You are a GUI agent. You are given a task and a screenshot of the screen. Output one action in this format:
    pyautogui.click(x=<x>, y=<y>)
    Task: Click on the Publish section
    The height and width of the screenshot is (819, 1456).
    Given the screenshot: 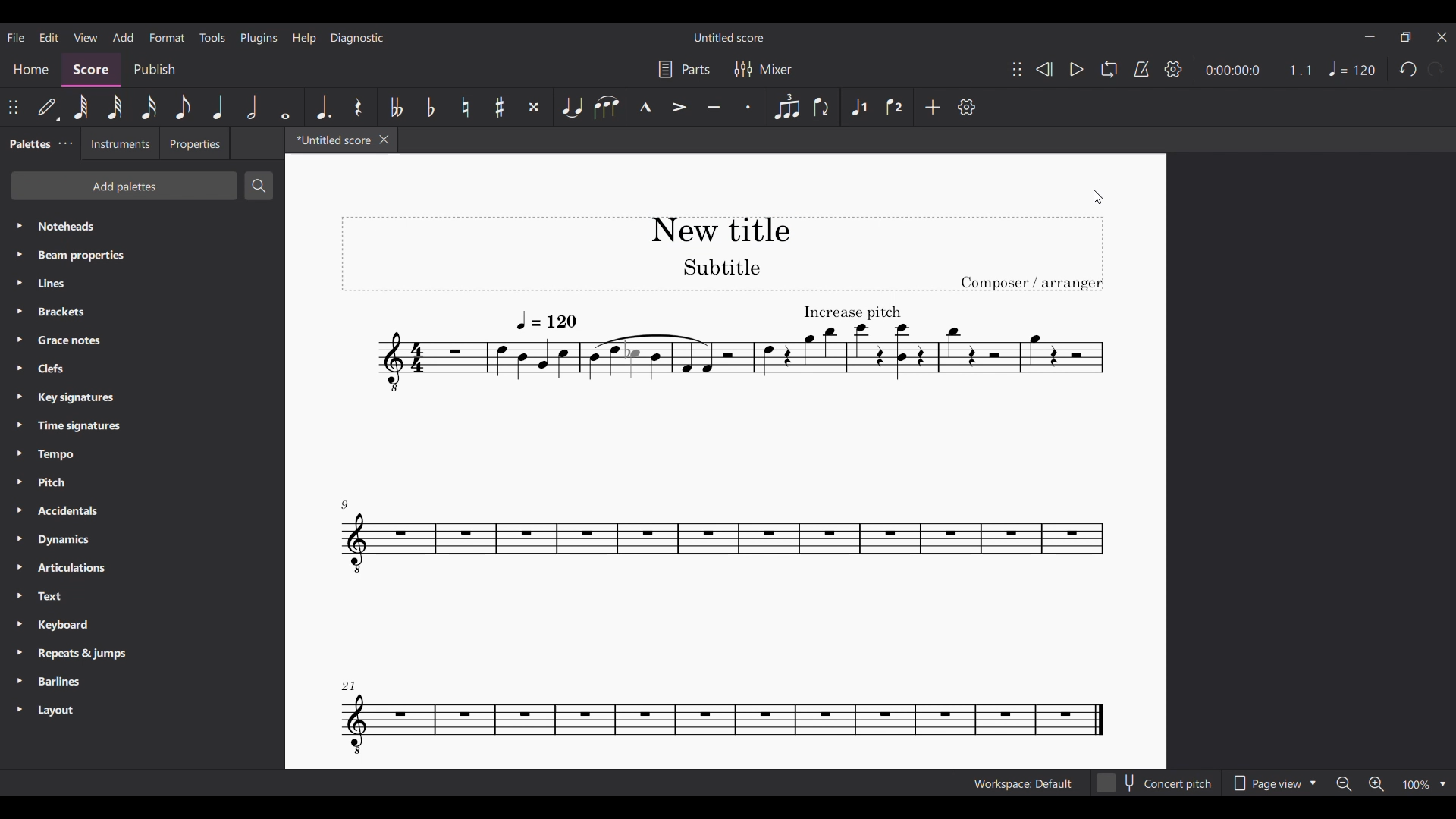 What is the action you would take?
    pyautogui.click(x=154, y=70)
    